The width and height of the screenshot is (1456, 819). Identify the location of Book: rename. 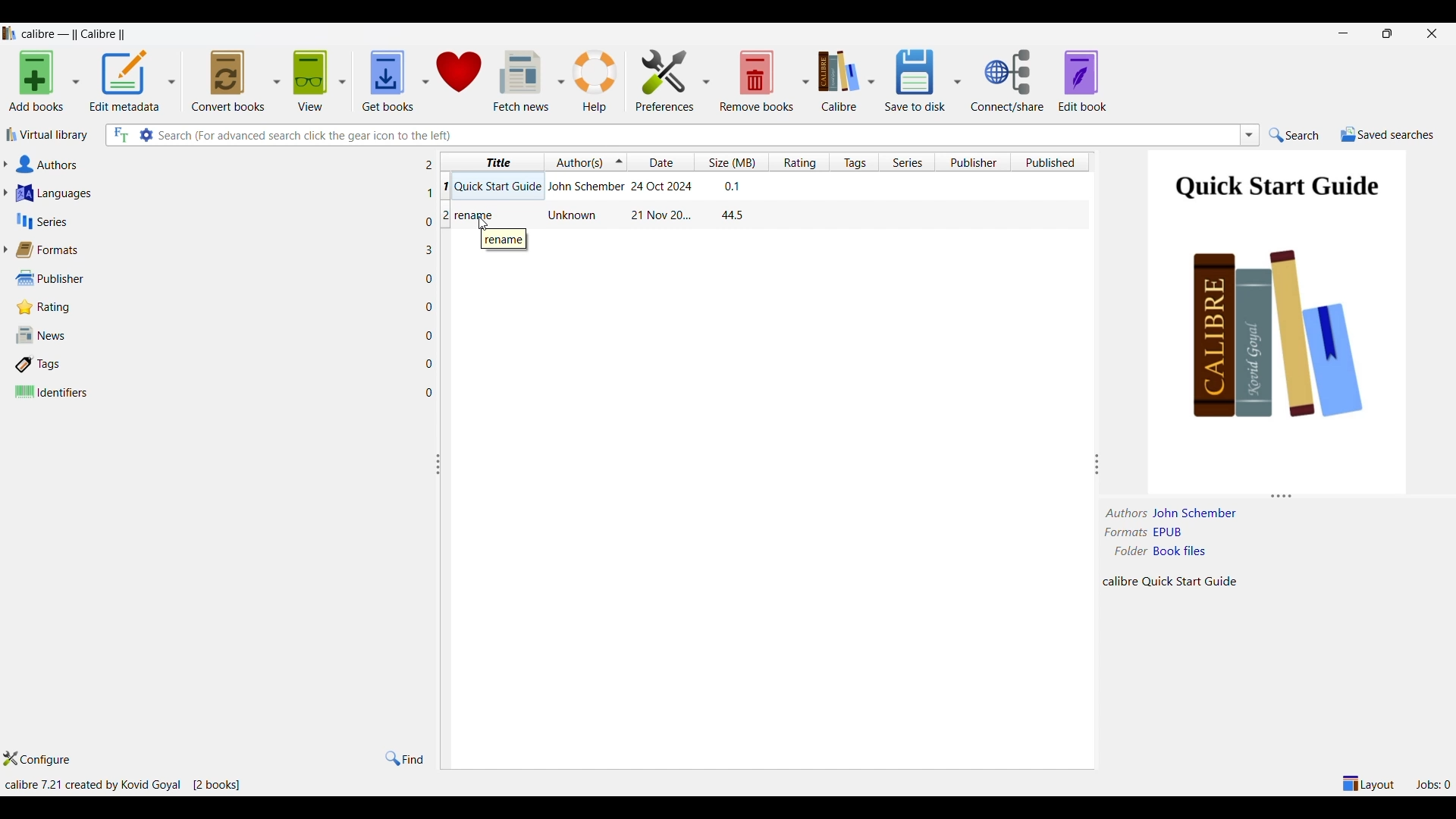
(598, 216).